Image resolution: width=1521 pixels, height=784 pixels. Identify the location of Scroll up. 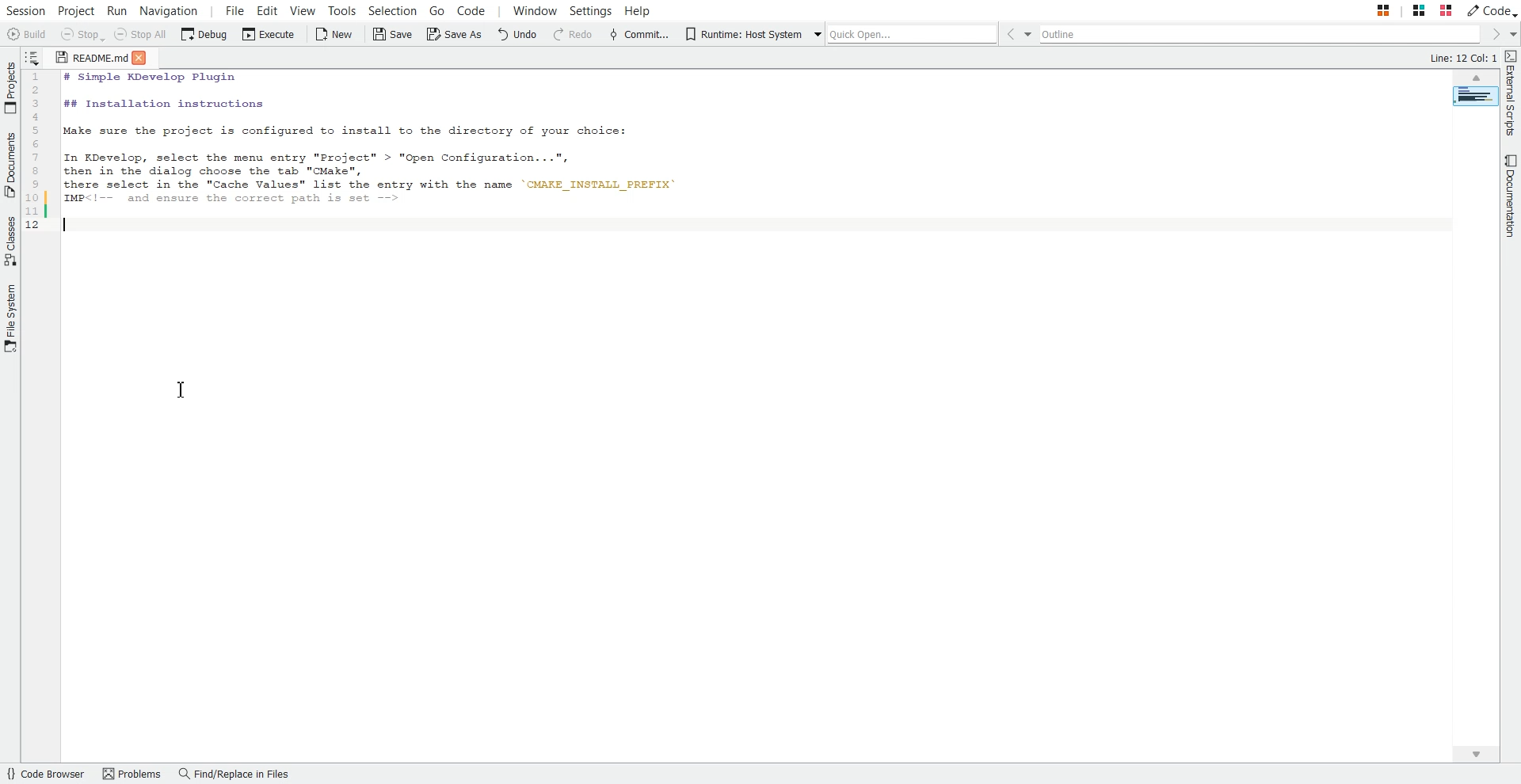
(1475, 77).